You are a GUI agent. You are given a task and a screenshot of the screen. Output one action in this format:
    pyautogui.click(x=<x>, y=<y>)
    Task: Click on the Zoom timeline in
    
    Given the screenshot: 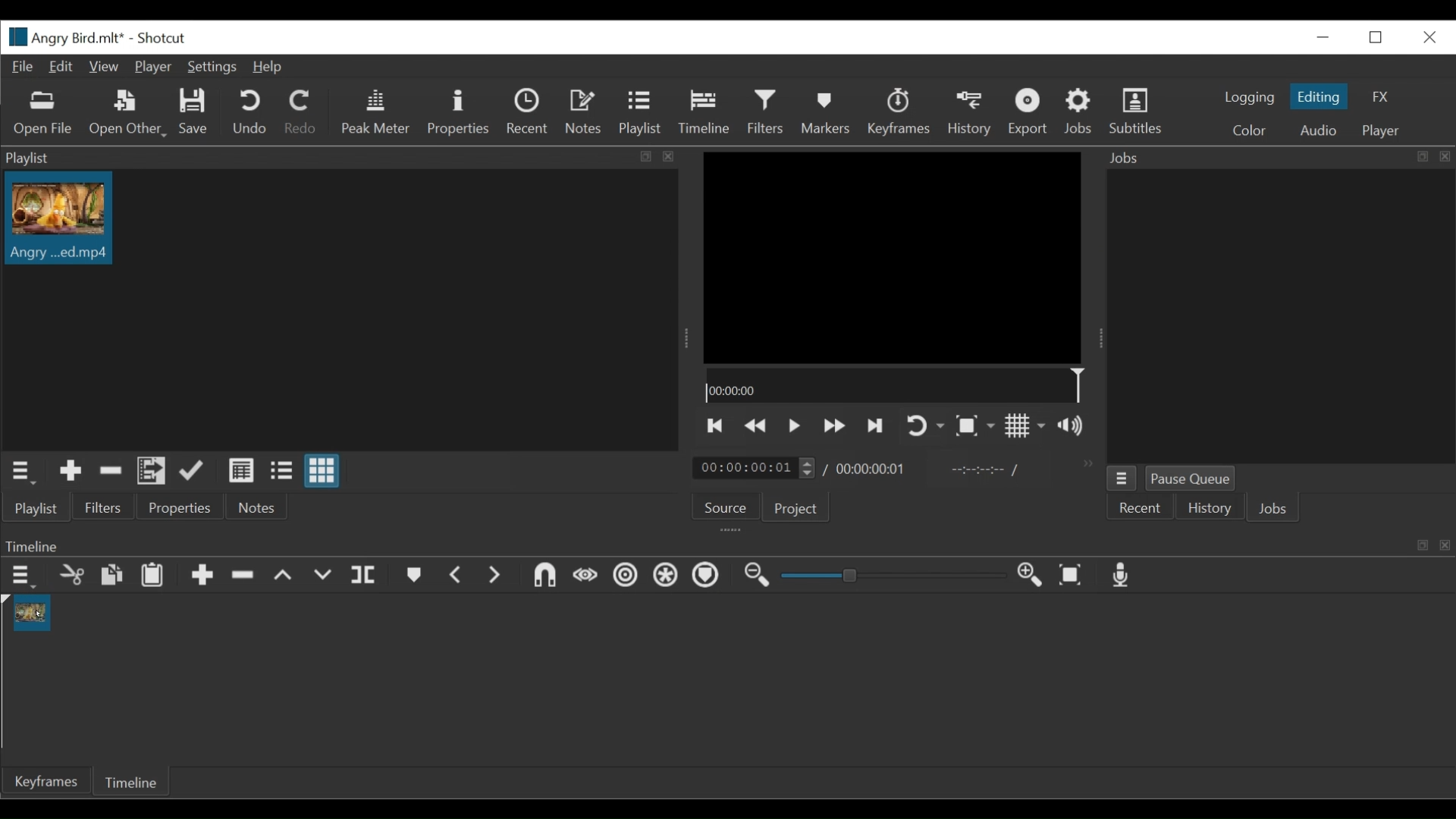 What is the action you would take?
    pyautogui.click(x=1031, y=575)
    